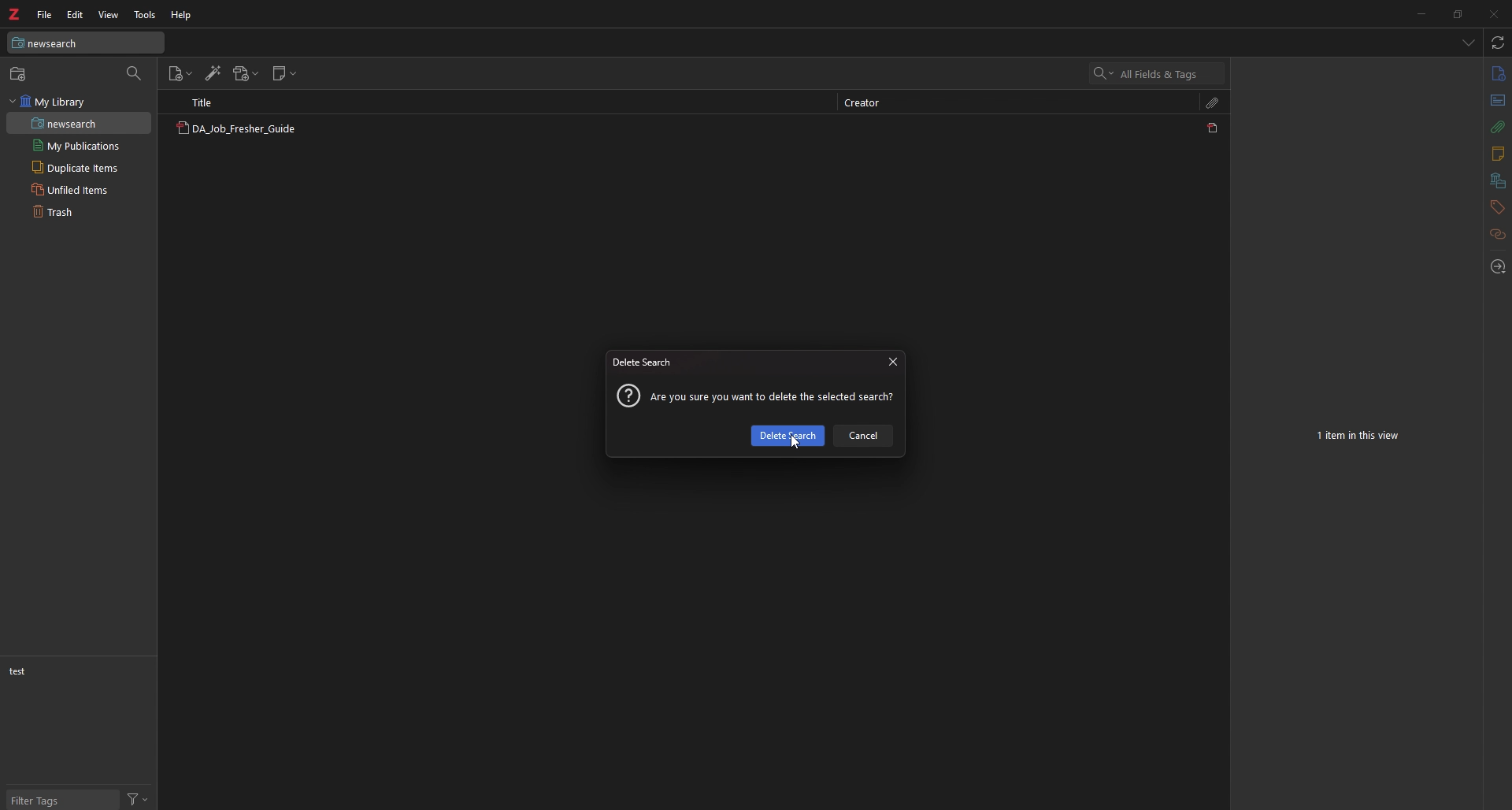  Describe the element at coordinates (178, 74) in the screenshot. I see `New item` at that location.